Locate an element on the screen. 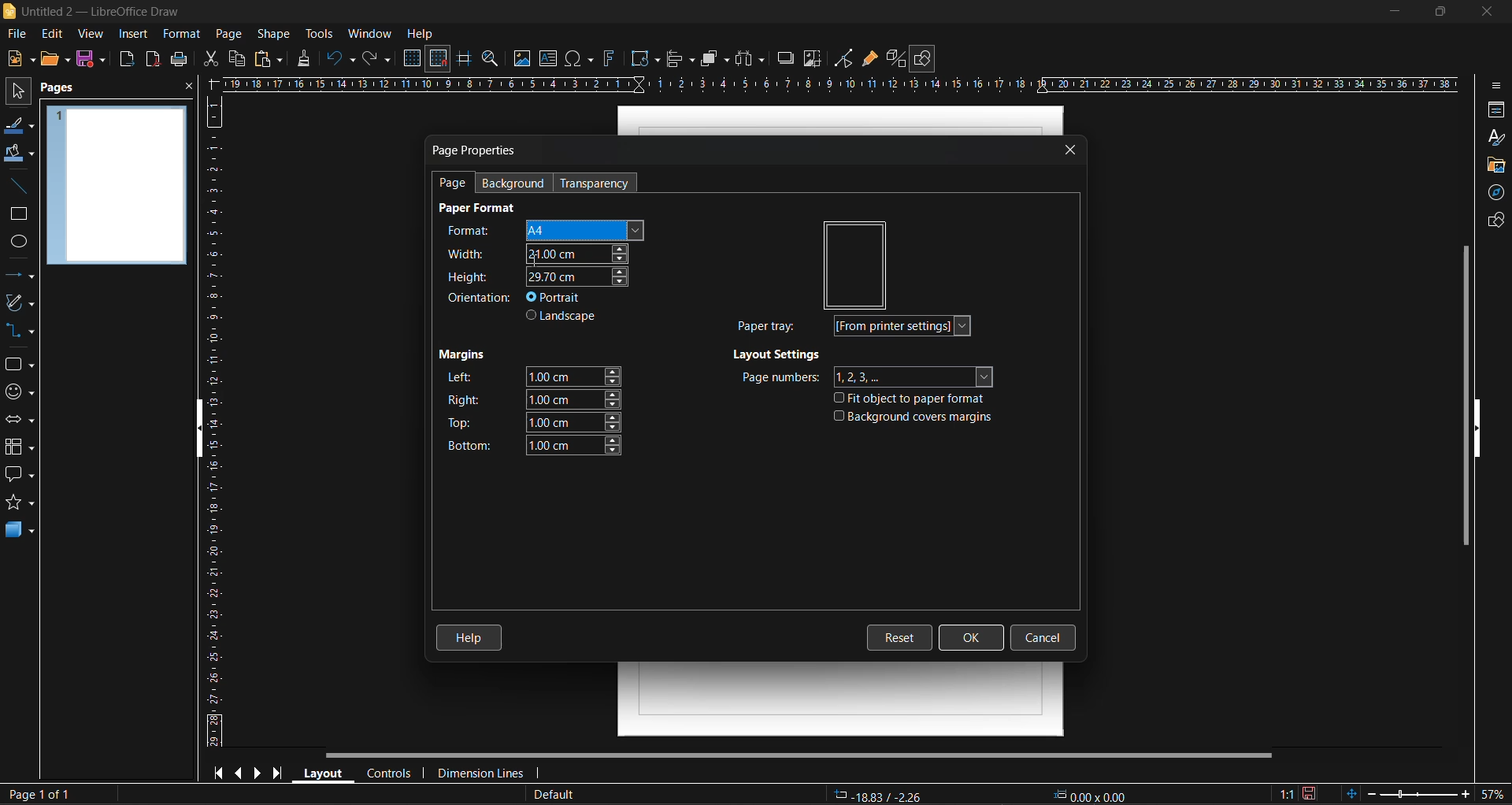 The width and height of the screenshot is (1512, 805). arrange is located at coordinates (716, 59).